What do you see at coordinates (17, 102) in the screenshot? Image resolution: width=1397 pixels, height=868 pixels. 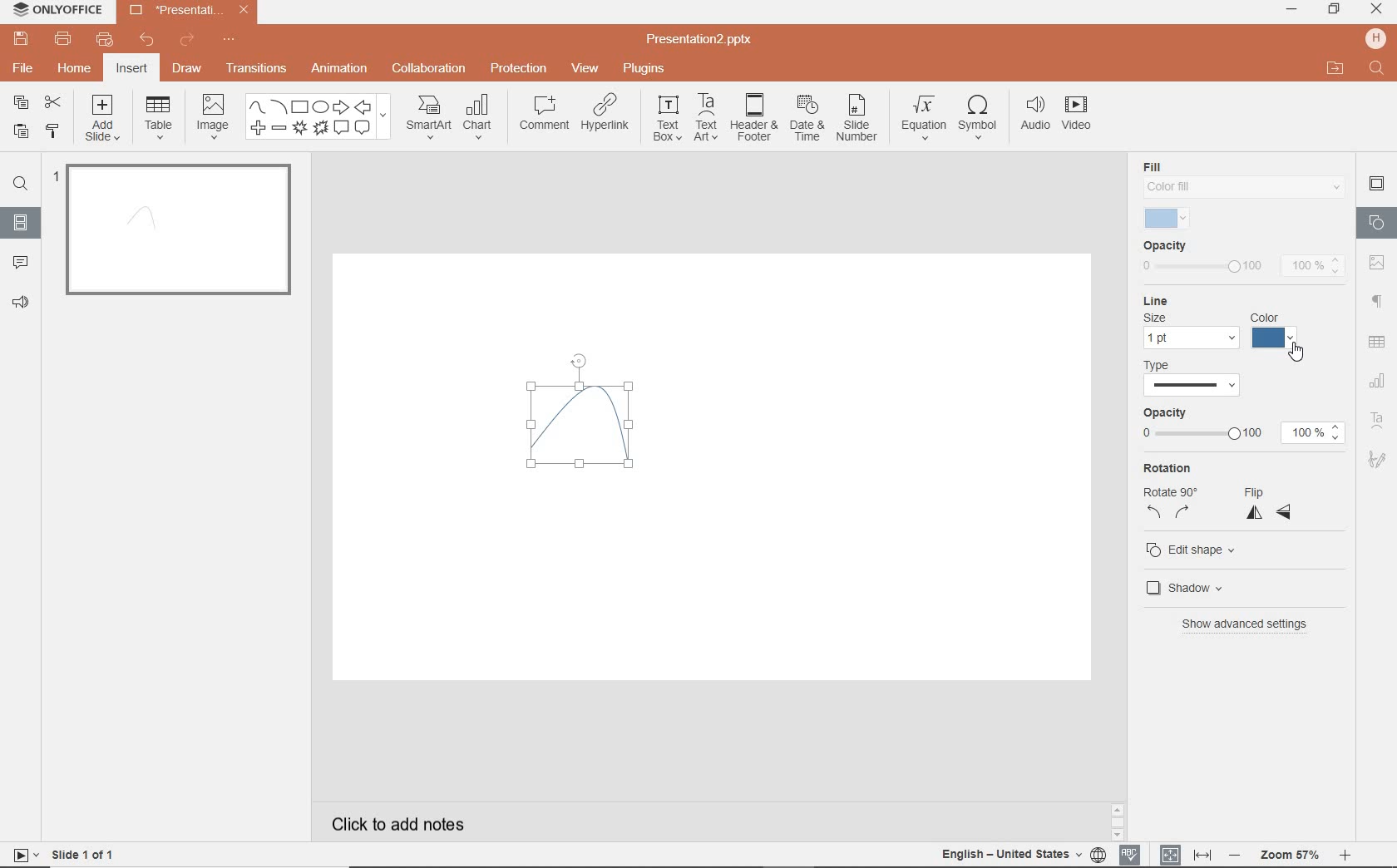 I see `COPY` at bounding box center [17, 102].